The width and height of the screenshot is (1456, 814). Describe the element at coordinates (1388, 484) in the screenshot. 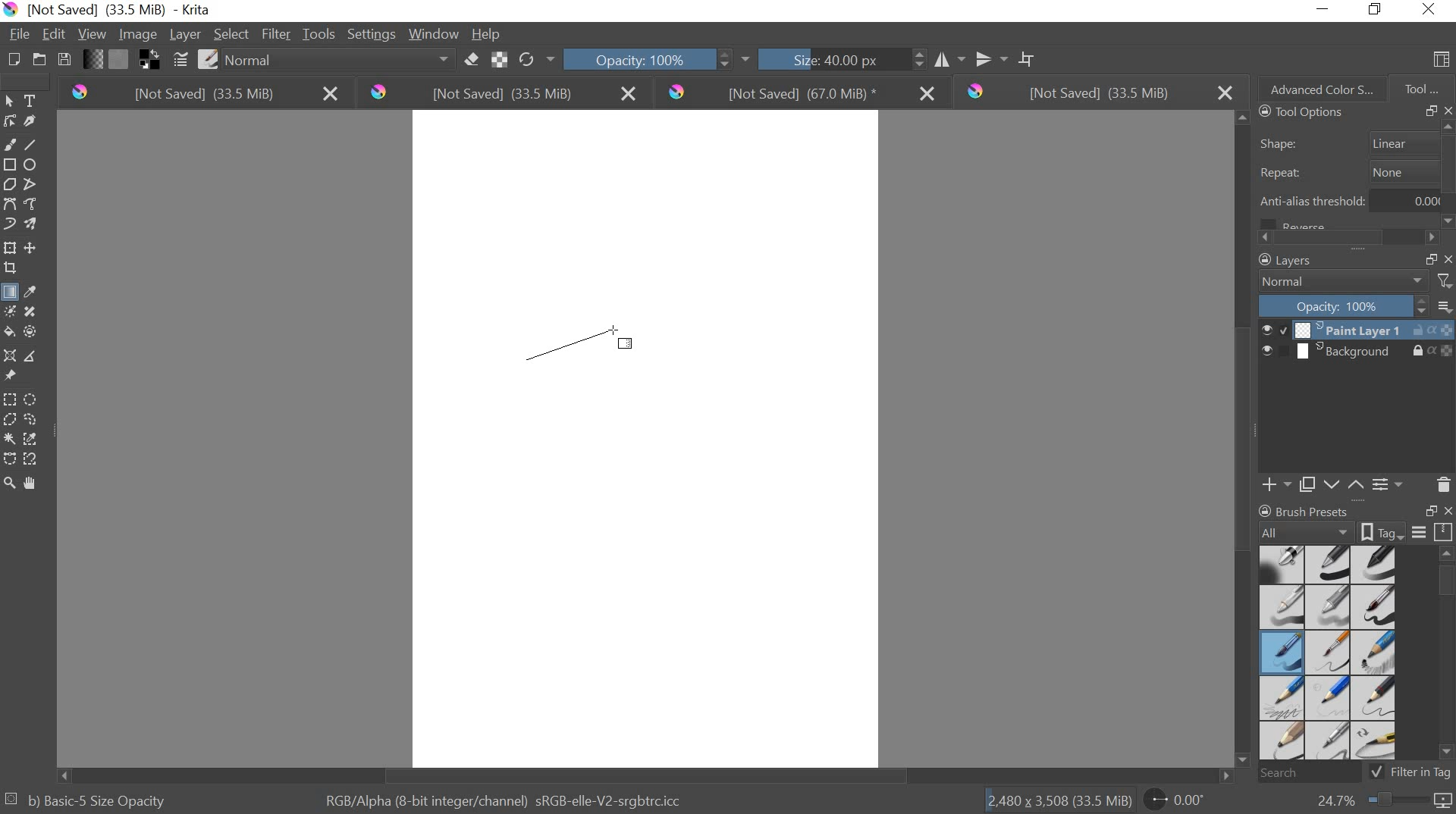

I see `LAYER PROPERTIES` at that location.